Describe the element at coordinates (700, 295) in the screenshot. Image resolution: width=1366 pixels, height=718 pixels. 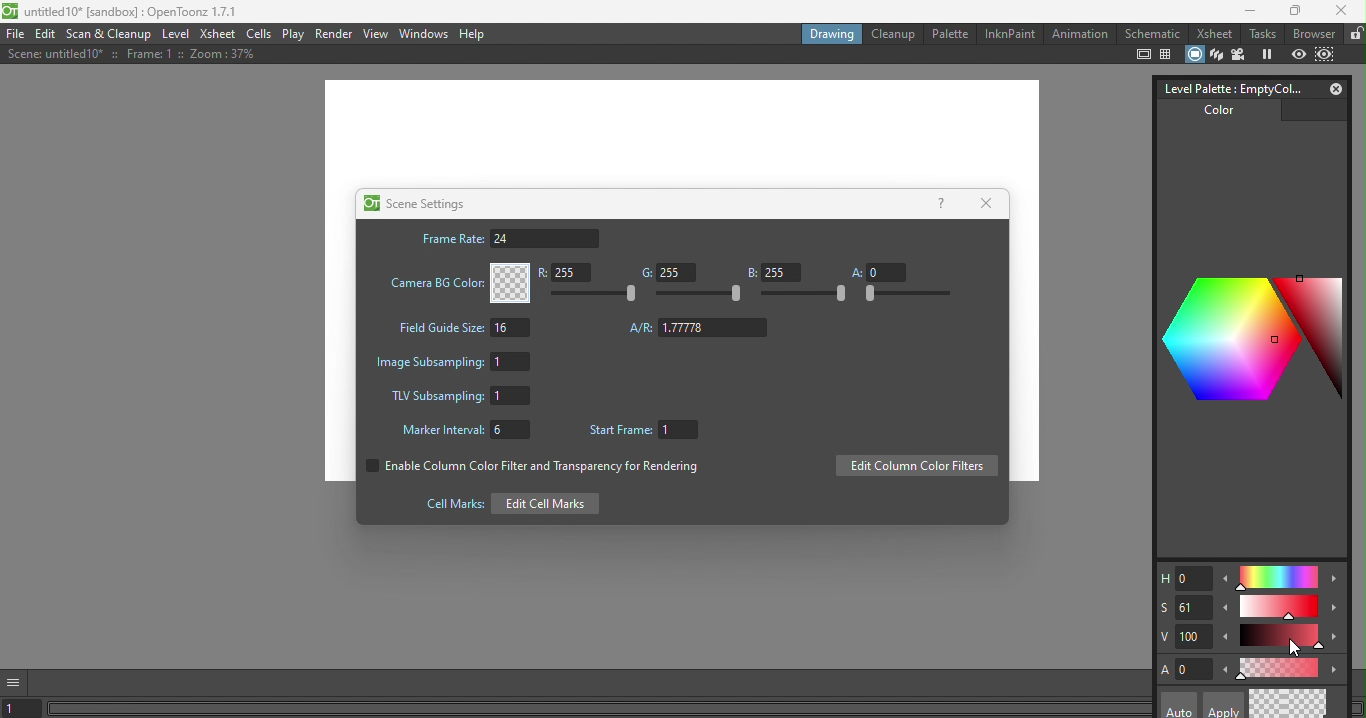
I see `Slide bar` at that location.